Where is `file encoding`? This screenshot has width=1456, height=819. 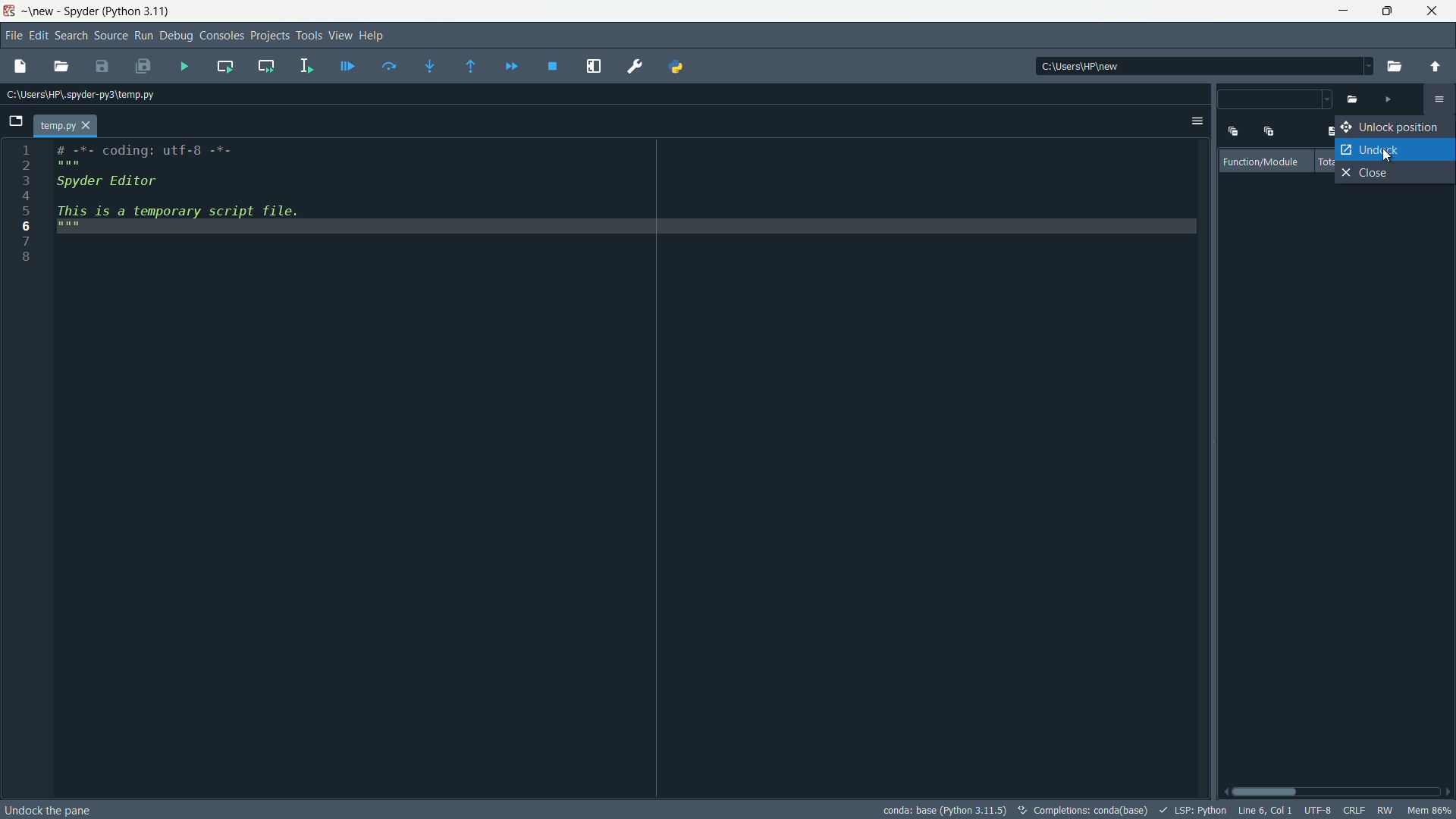 file encoding is located at coordinates (1317, 811).